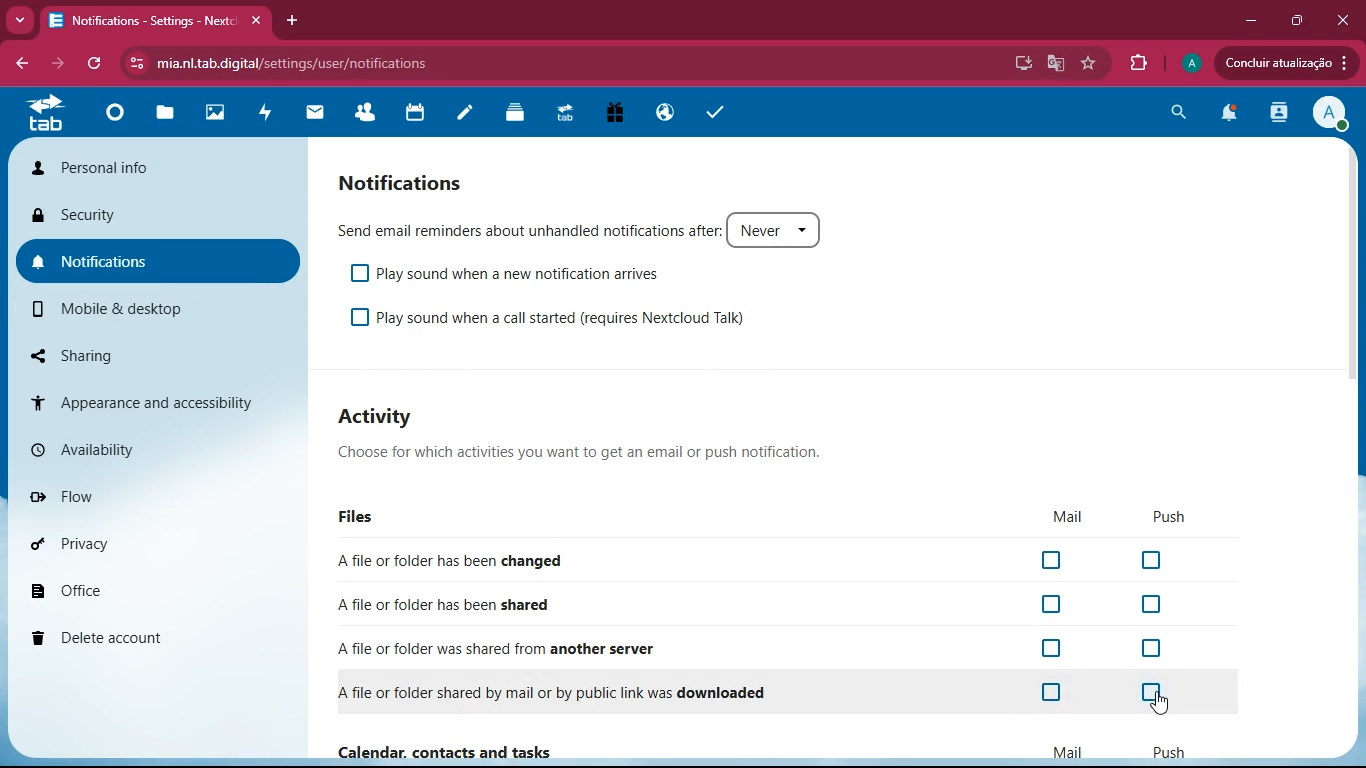 Image resolution: width=1366 pixels, height=768 pixels. I want to click on favorite, so click(1089, 65).